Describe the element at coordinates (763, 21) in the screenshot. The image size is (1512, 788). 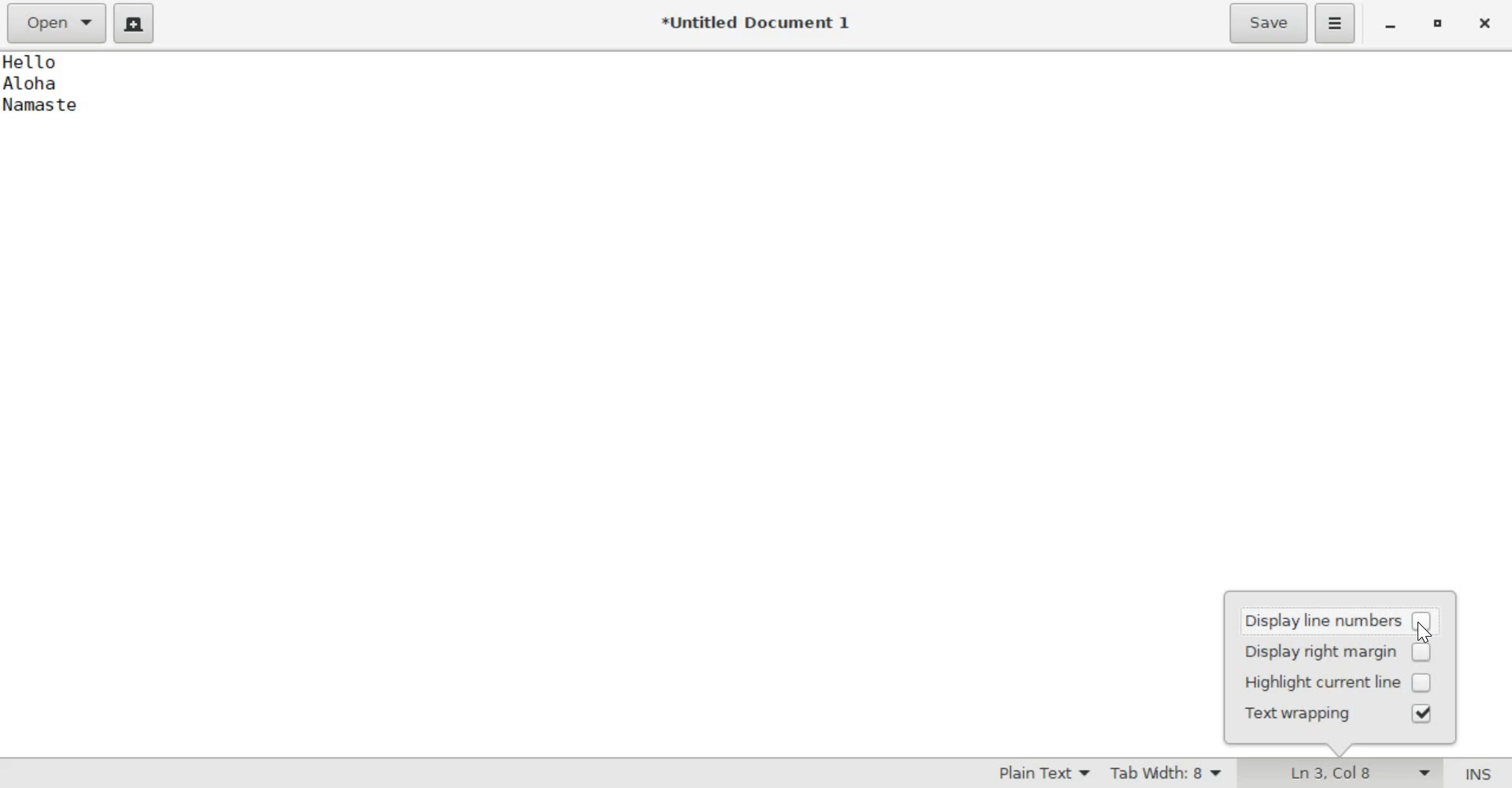
I see `*Untitled Document 1` at that location.